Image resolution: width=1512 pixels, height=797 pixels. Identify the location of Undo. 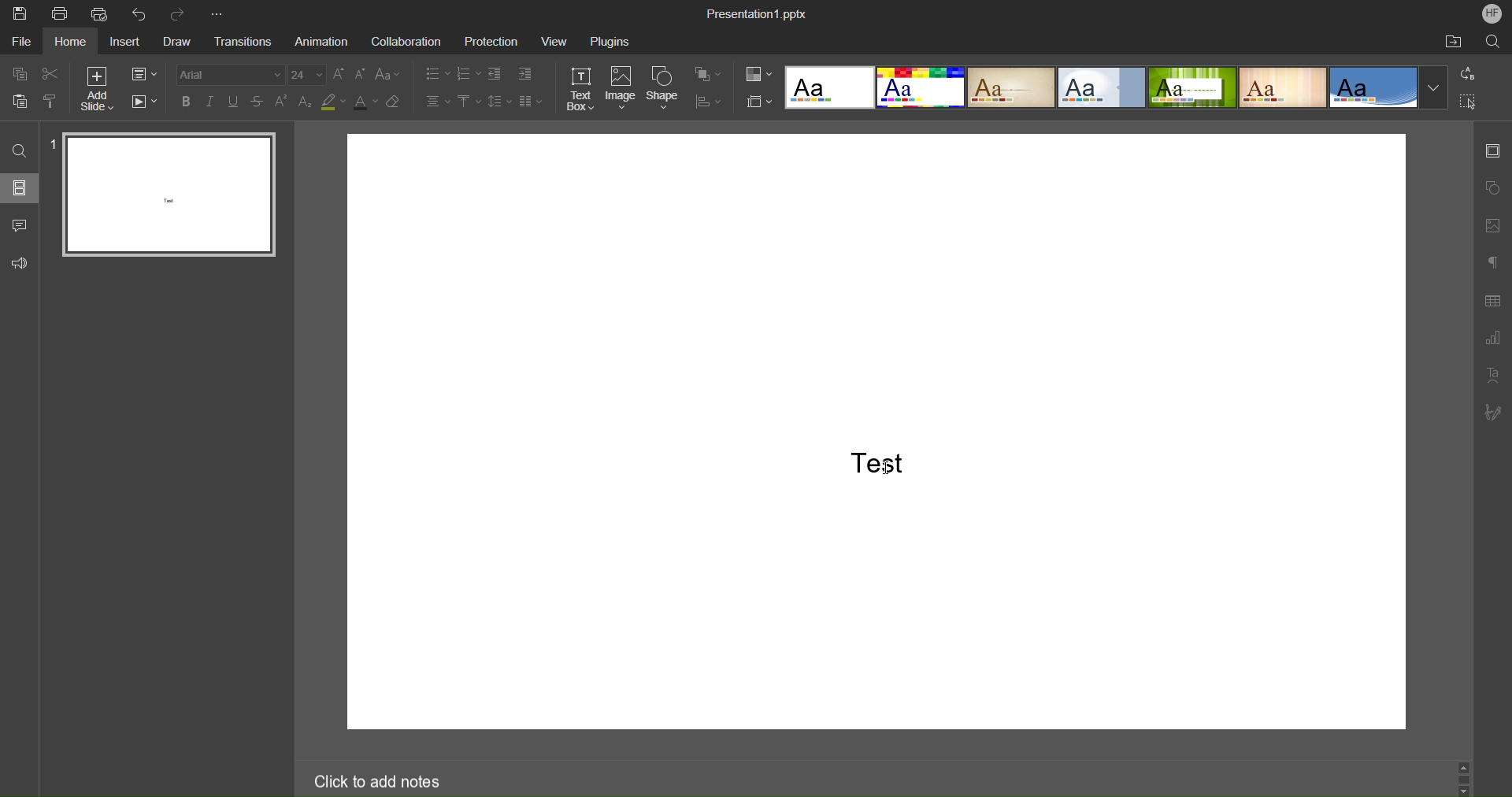
(142, 13).